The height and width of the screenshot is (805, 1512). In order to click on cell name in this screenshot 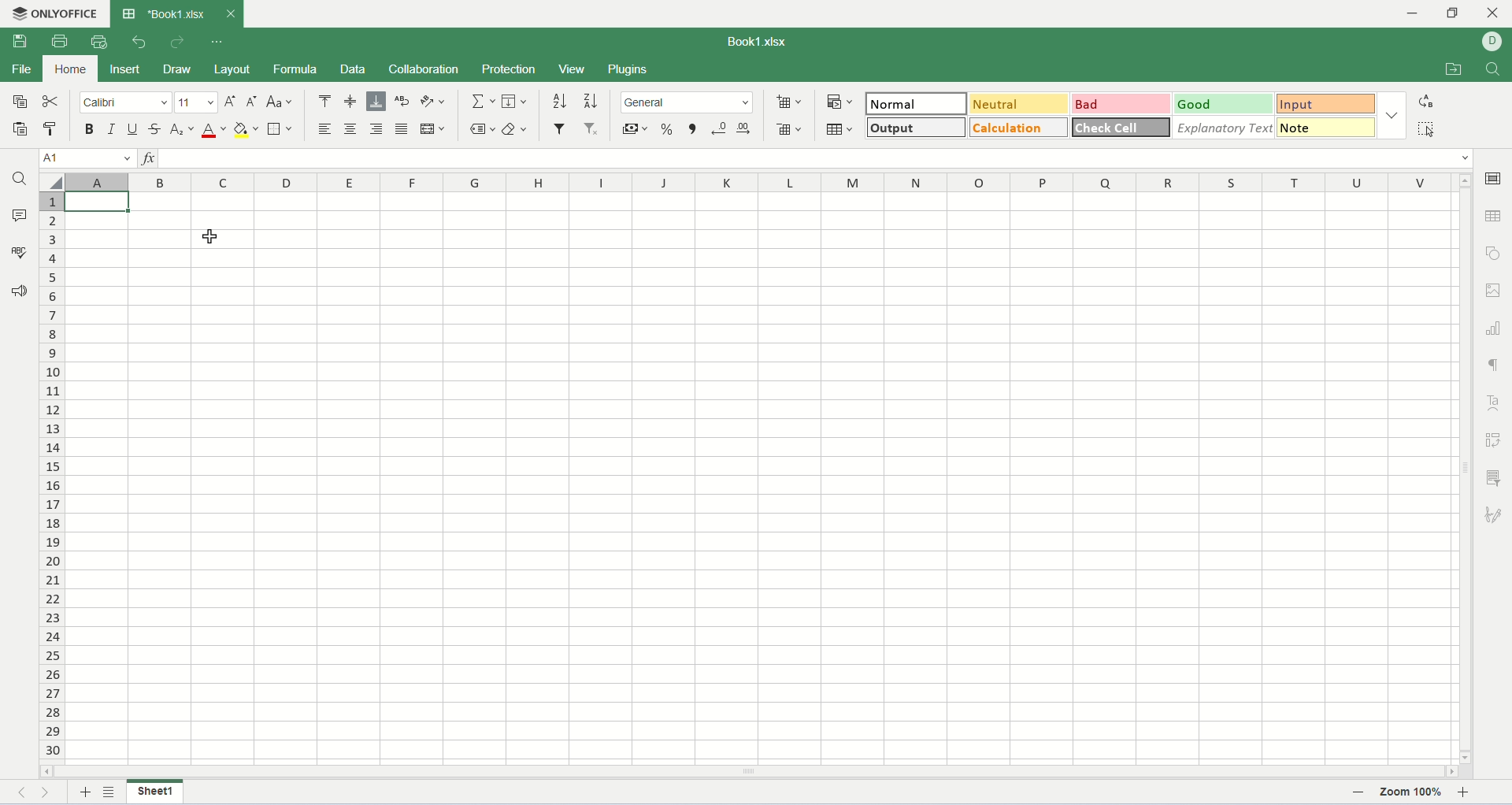, I will do `click(89, 158)`.